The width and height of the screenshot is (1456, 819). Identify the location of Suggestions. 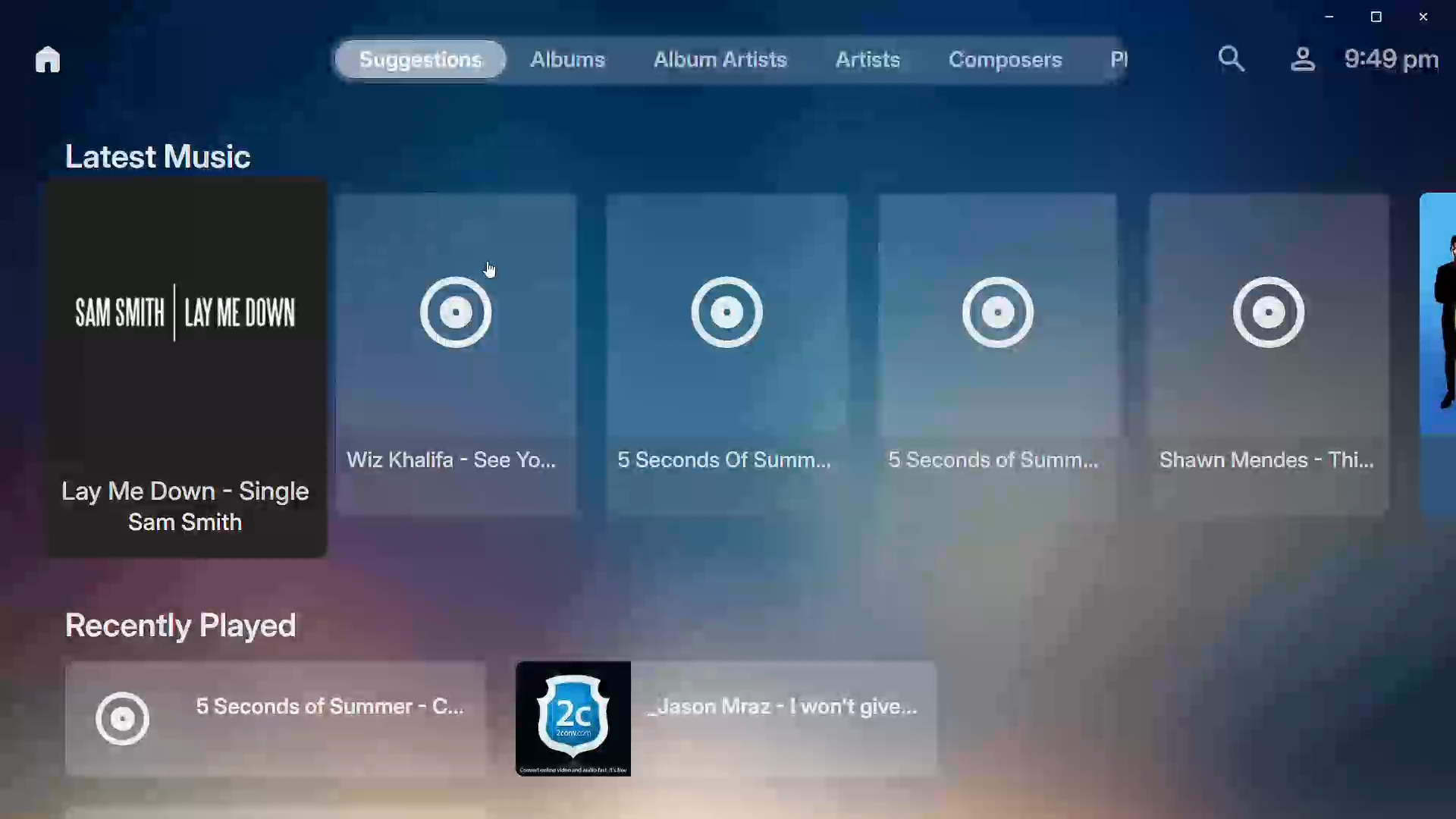
(417, 61).